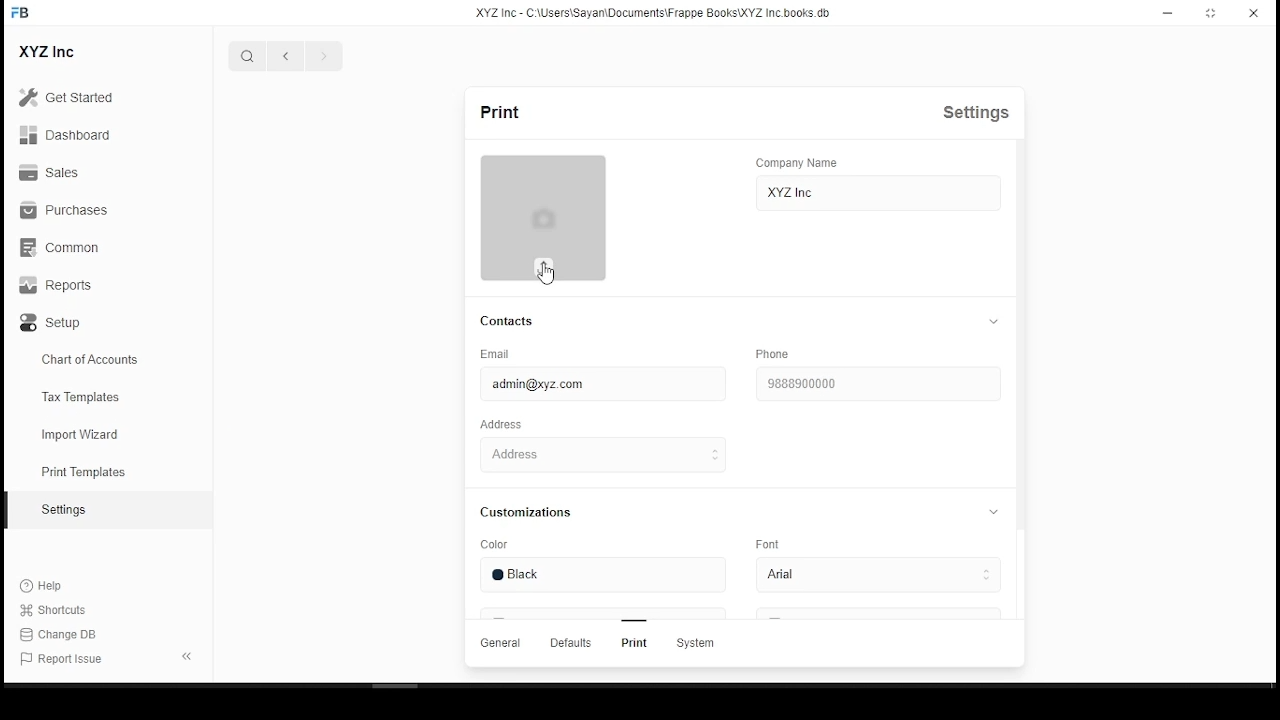  I want to click on System, so click(710, 643).